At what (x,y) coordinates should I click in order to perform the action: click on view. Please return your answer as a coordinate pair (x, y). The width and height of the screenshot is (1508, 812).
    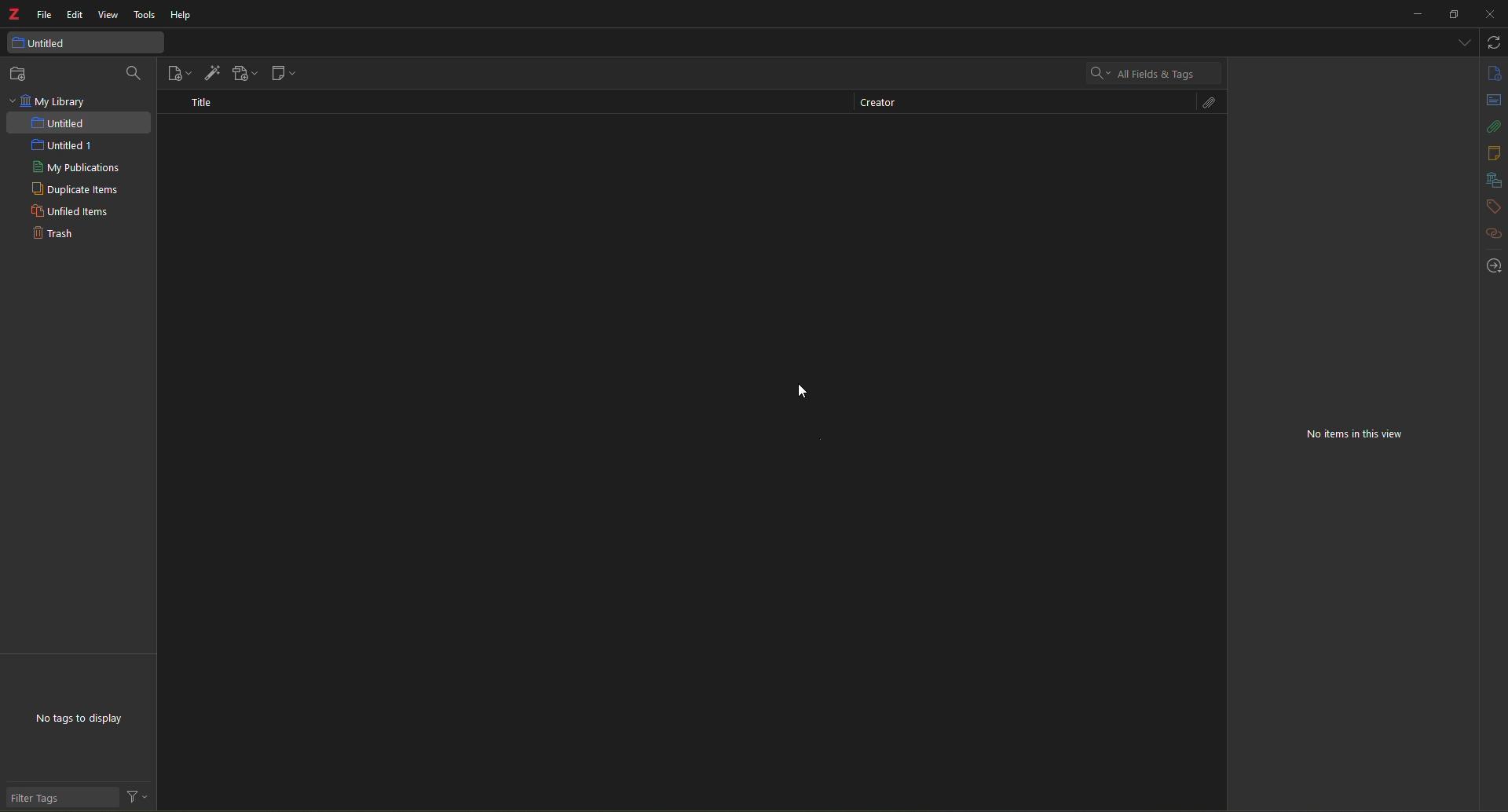
    Looking at the image, I should click on (108, 15).